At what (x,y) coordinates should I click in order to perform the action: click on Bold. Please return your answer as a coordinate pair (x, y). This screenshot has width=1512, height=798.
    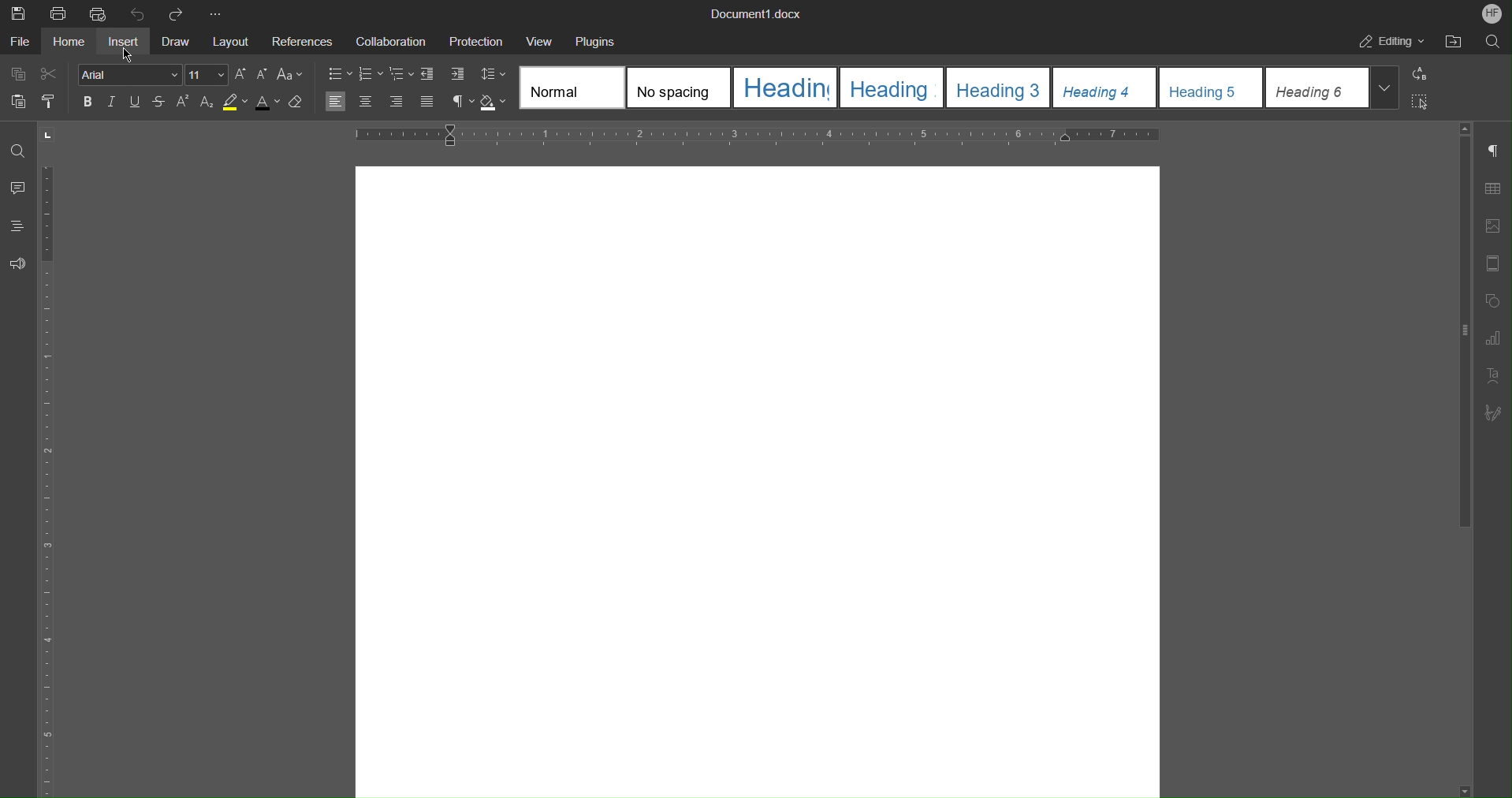
    Looking at the image, I should click on (88, 102).